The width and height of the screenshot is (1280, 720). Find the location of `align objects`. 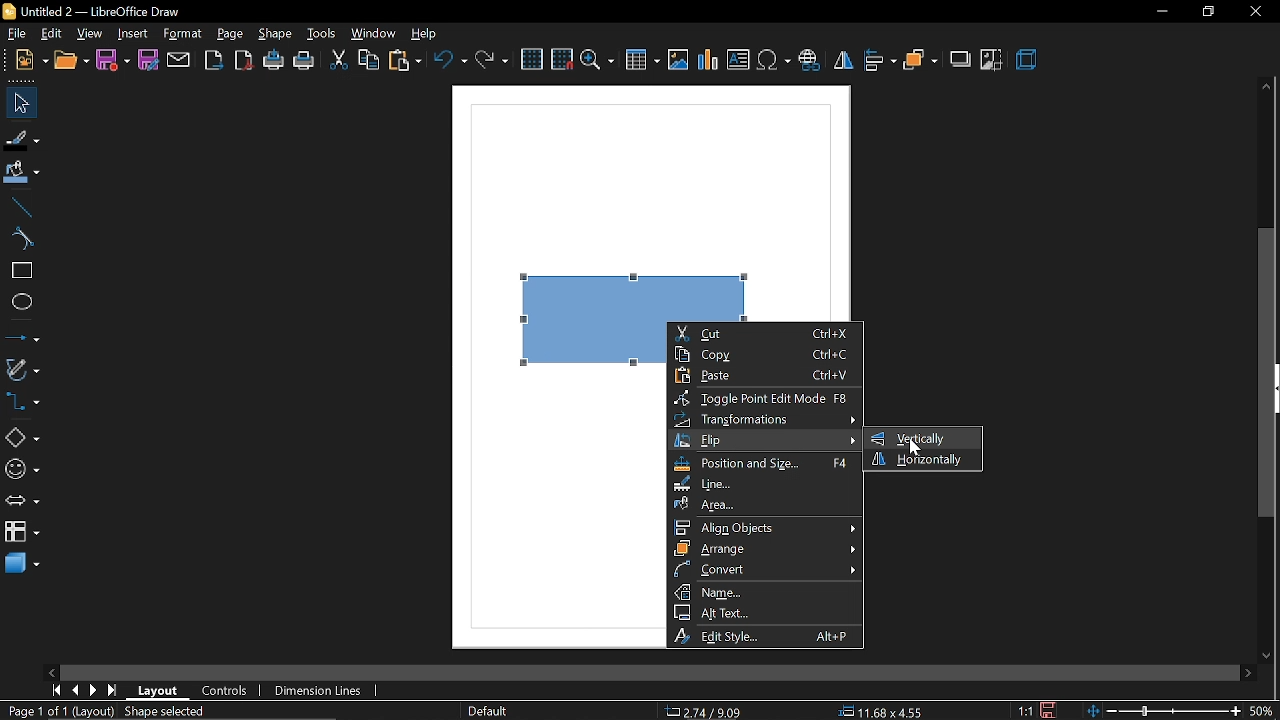

align objects is located at coordinates (766, 527).